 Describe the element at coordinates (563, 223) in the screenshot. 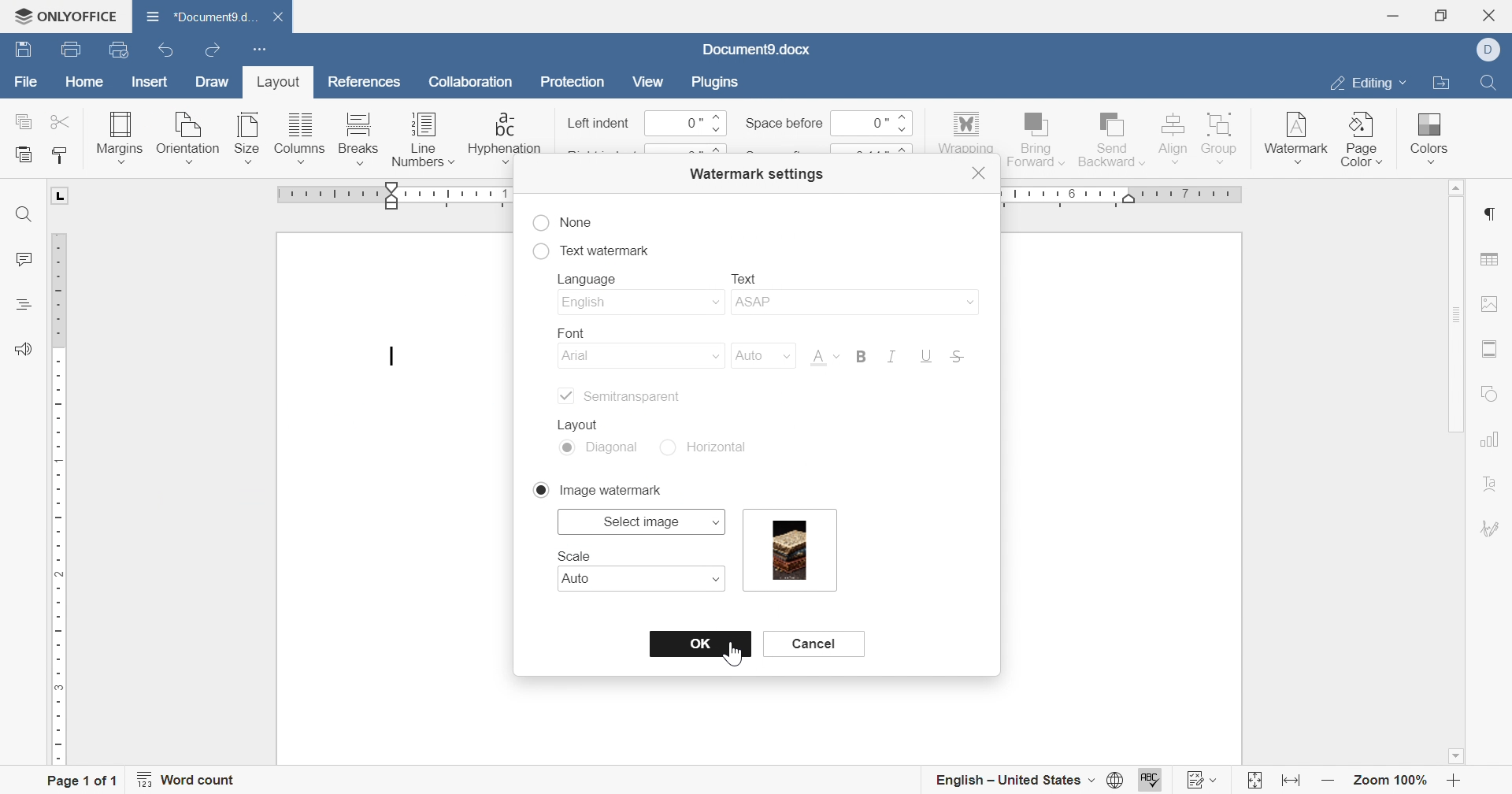

I see `none` at that location.